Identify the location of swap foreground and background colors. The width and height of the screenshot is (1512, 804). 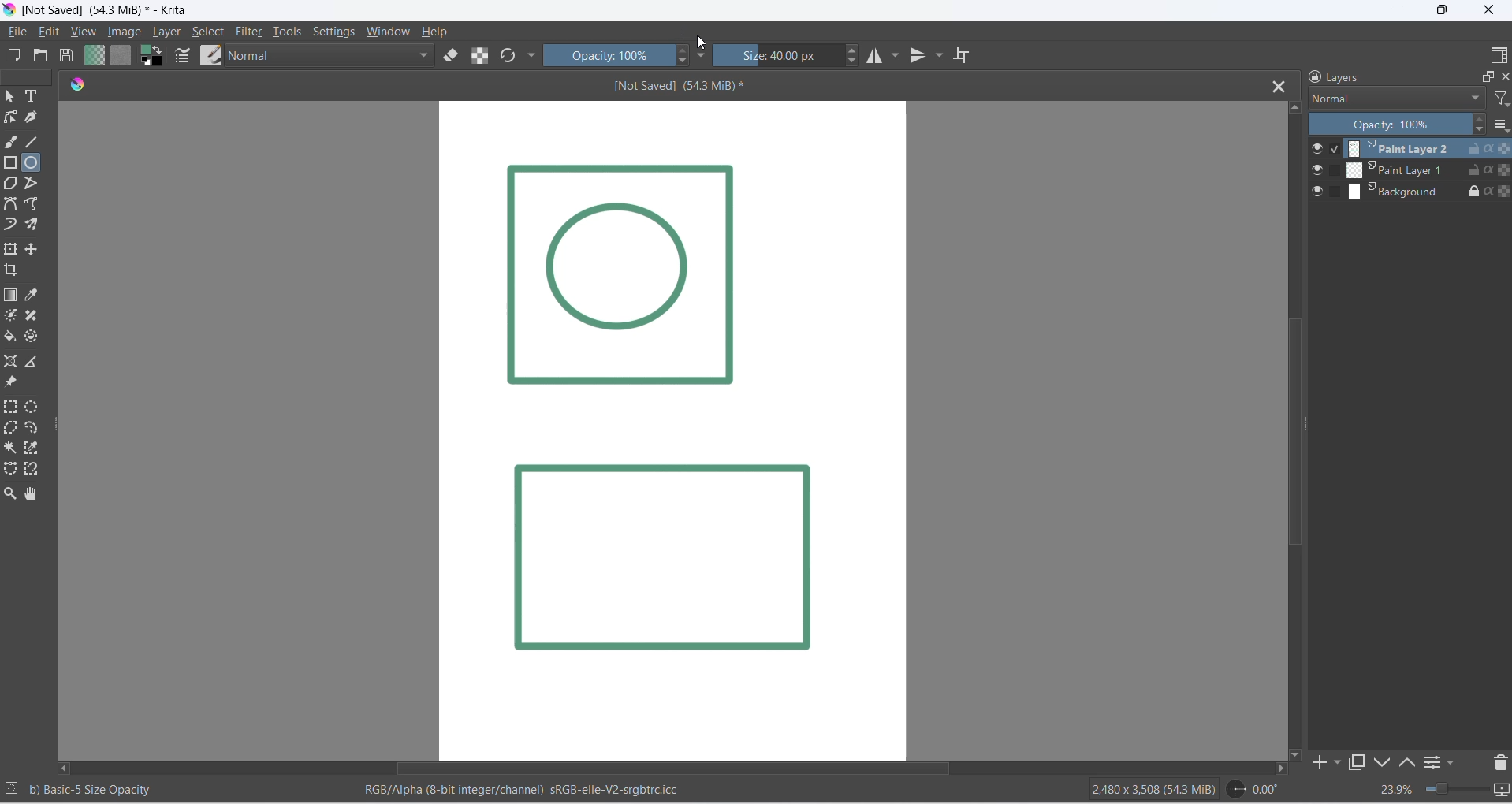
(153, 56).